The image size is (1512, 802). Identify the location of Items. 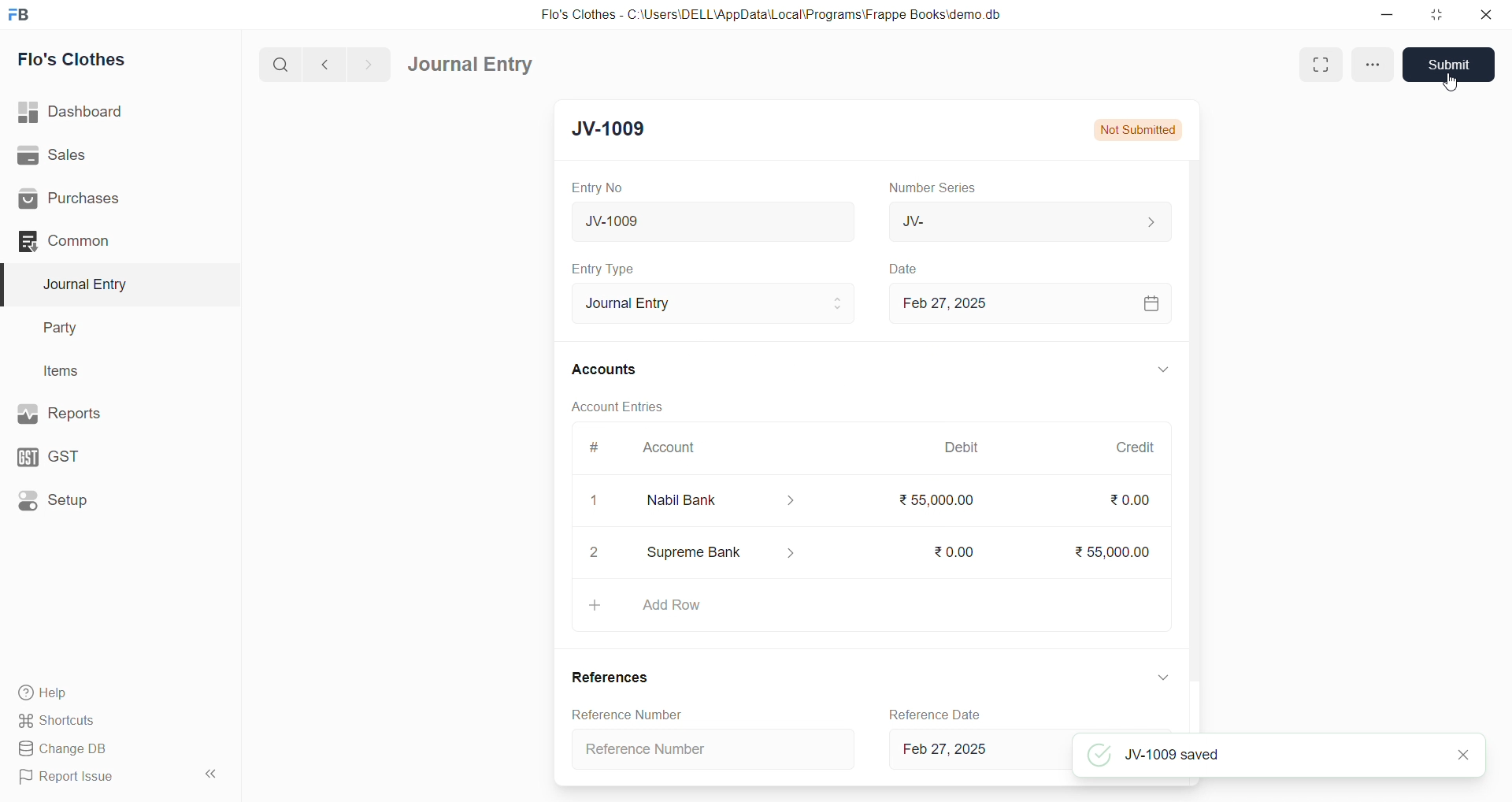
(67, 370).